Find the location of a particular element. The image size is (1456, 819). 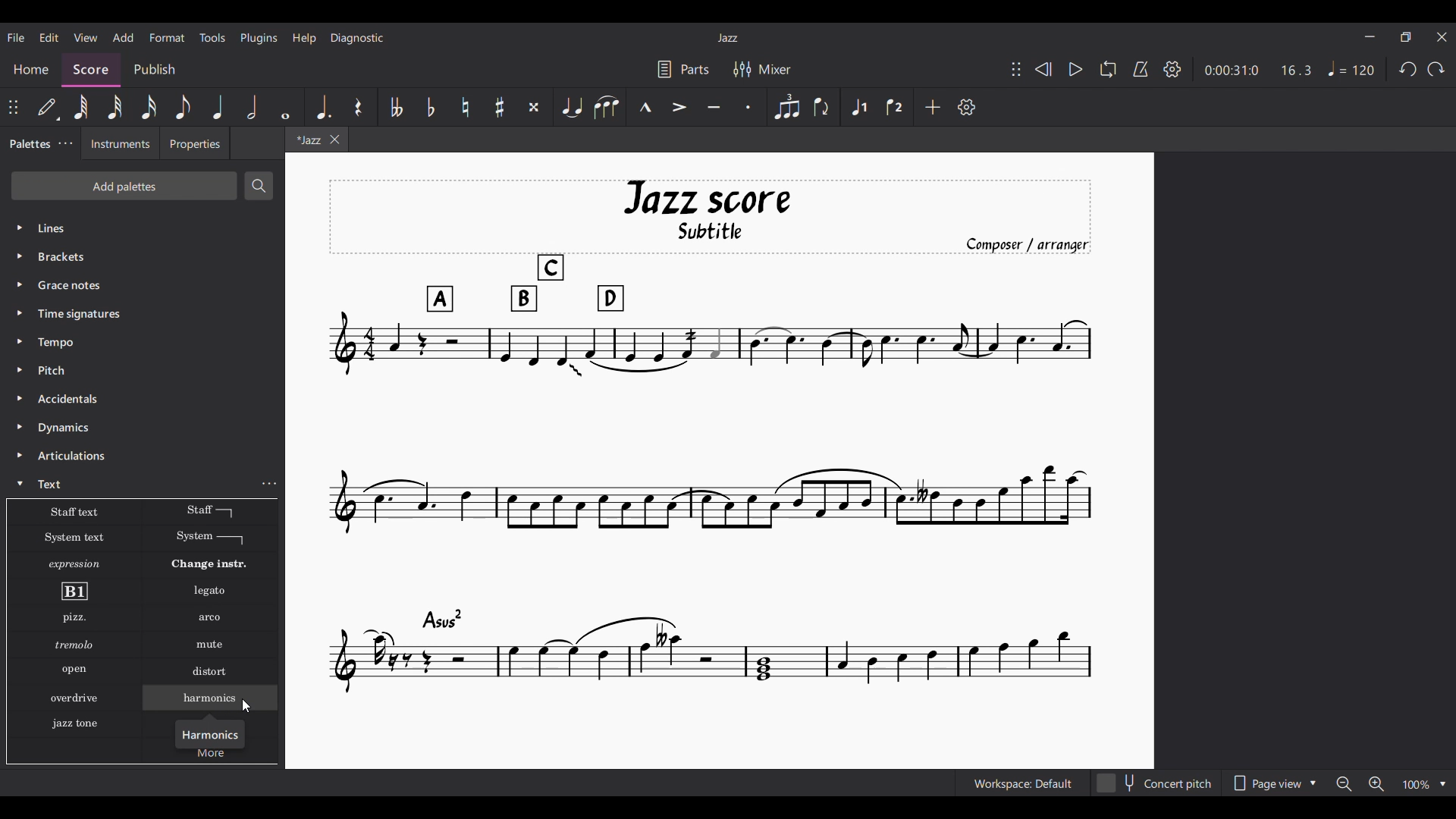

Publish section is located at coordinates (160, 66).